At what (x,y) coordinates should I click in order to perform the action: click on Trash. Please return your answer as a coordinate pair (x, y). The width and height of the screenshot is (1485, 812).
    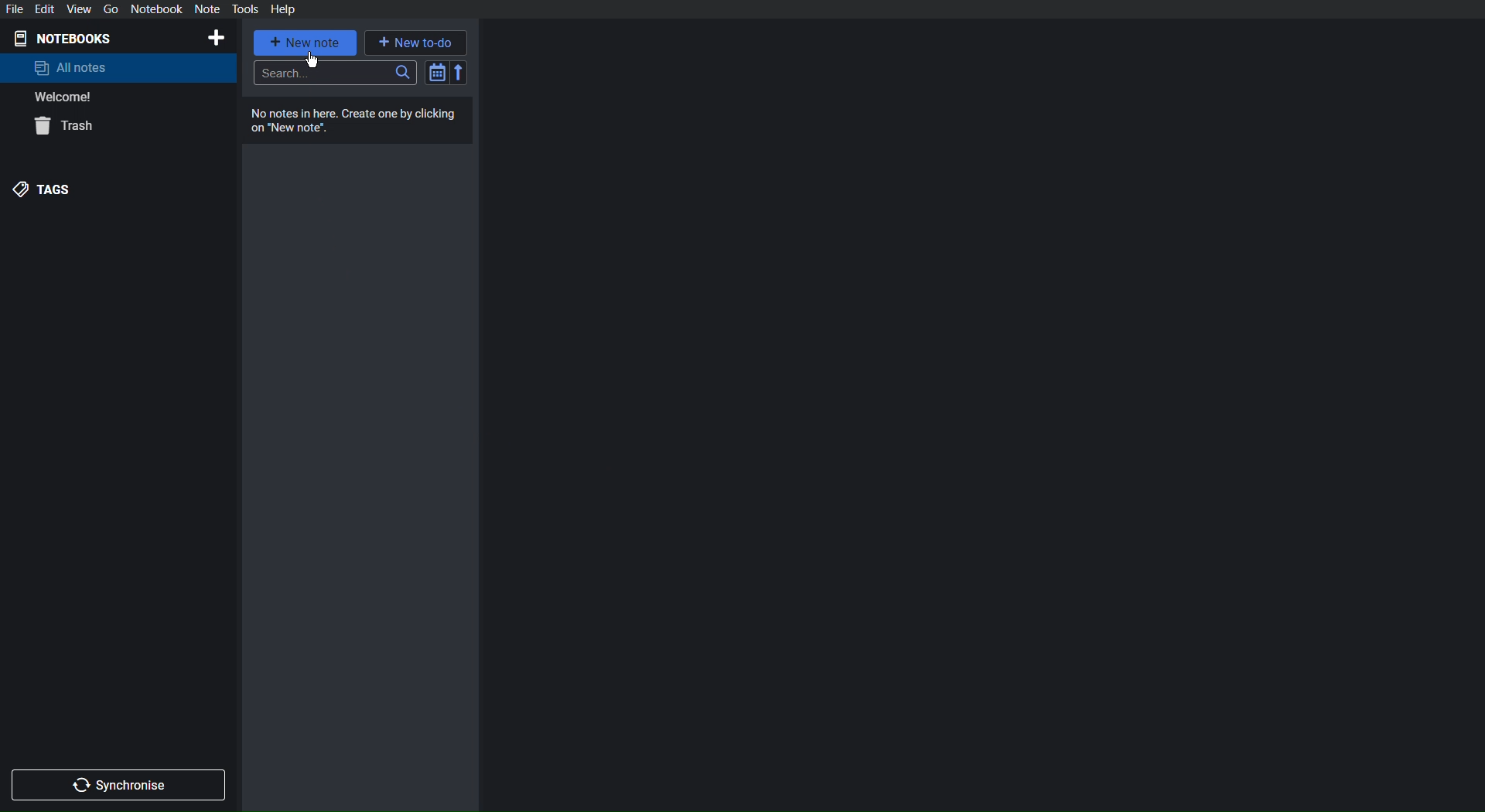
    Looking at the image, I should click on (68, 128).